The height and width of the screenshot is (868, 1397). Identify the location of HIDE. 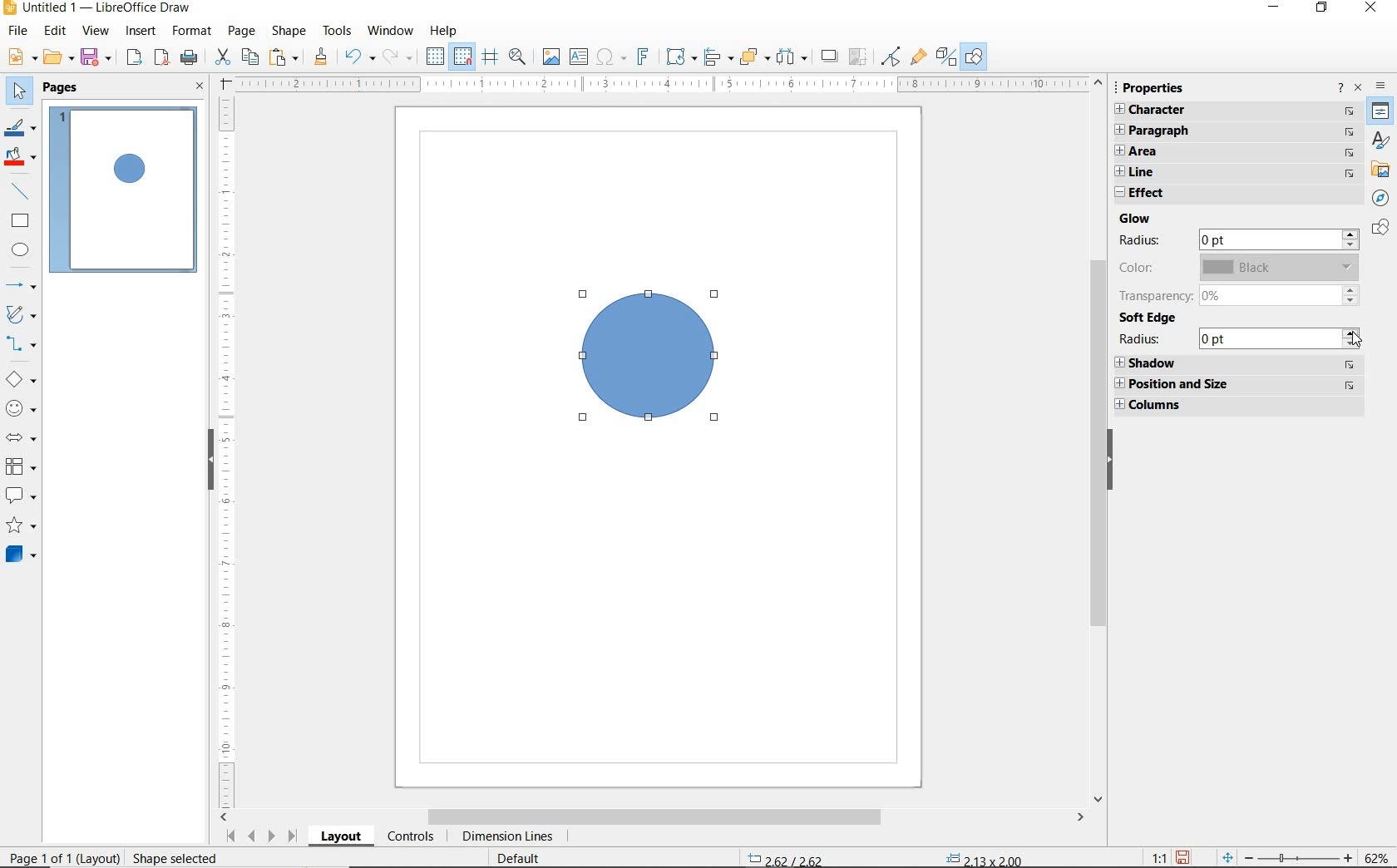
(1119, 460).